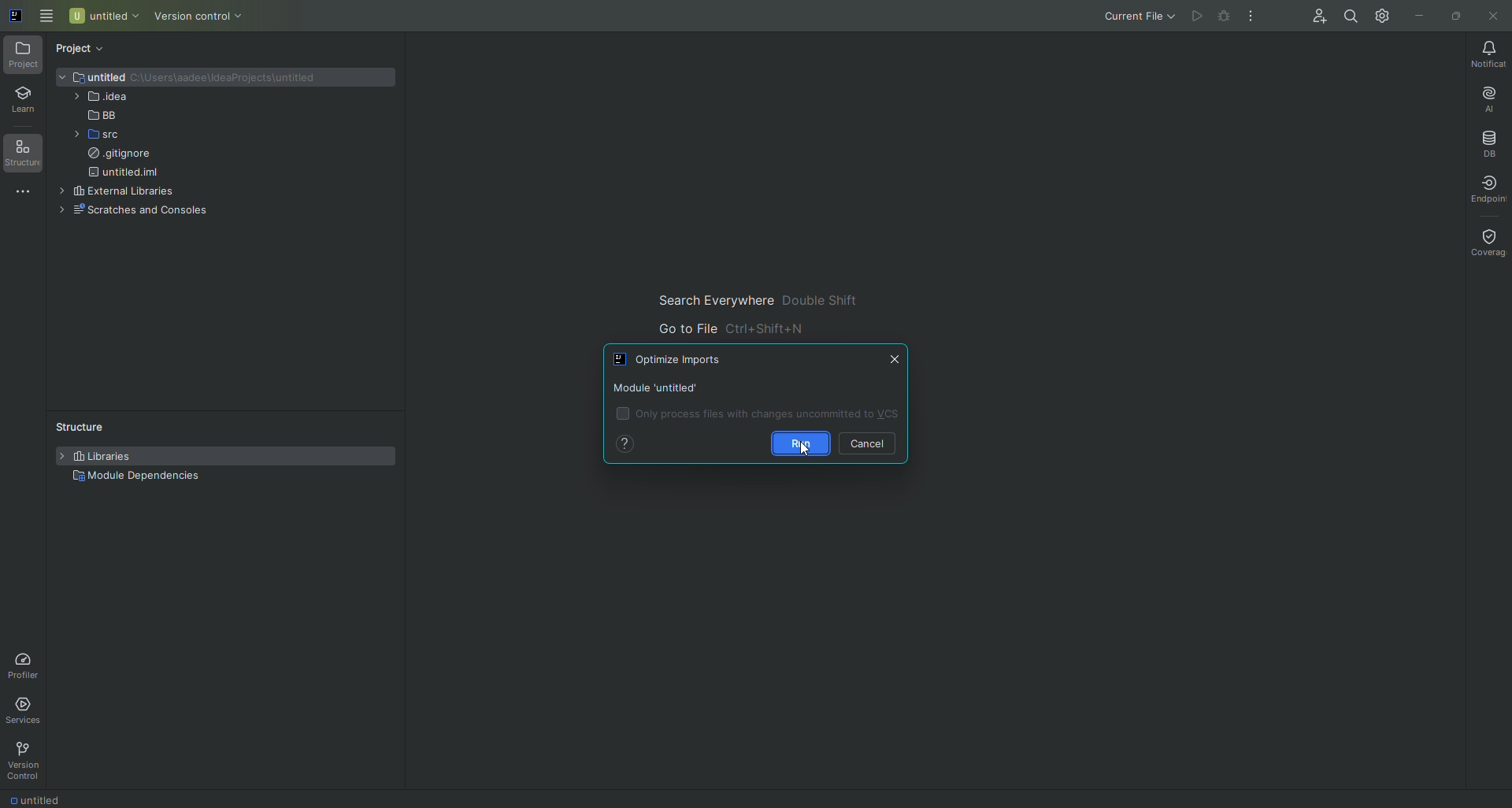 This screenshot has width=1512, height=808. Describe the element at coordinates (100, 98) in the screenshot. I see `.idea` at that location.